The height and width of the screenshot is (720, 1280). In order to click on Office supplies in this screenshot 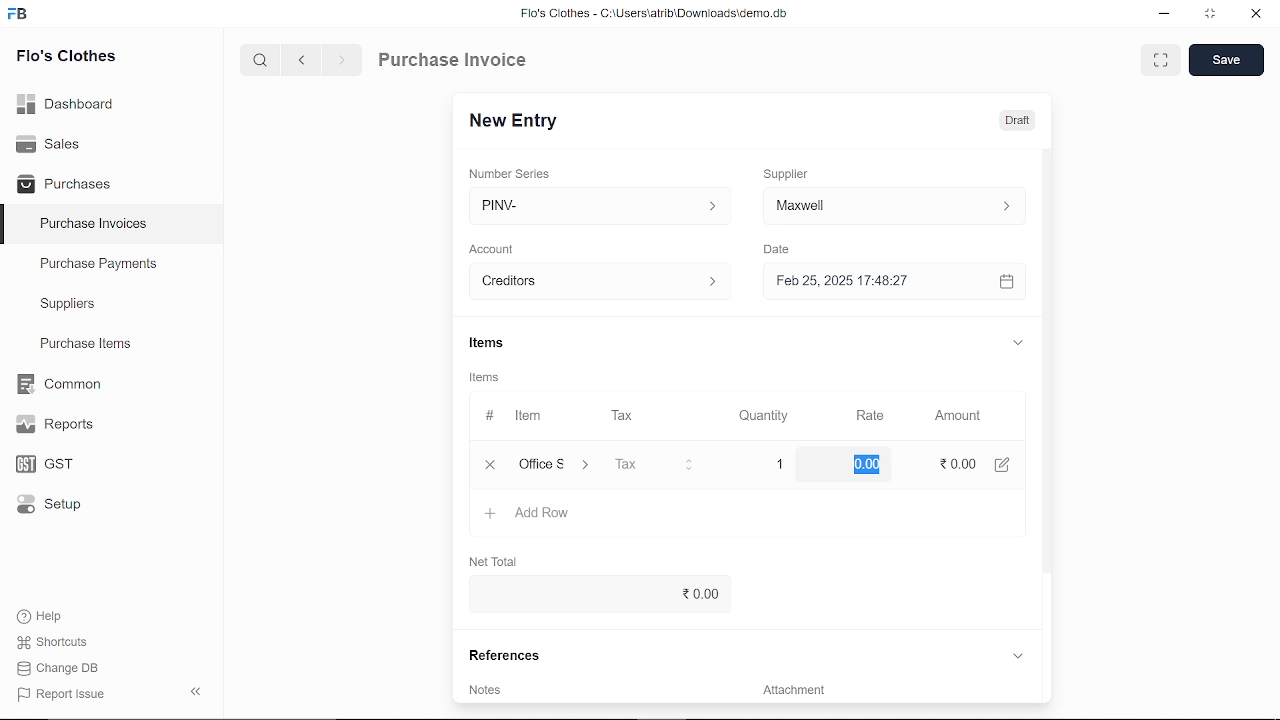, I will do `click(557, 465)`.